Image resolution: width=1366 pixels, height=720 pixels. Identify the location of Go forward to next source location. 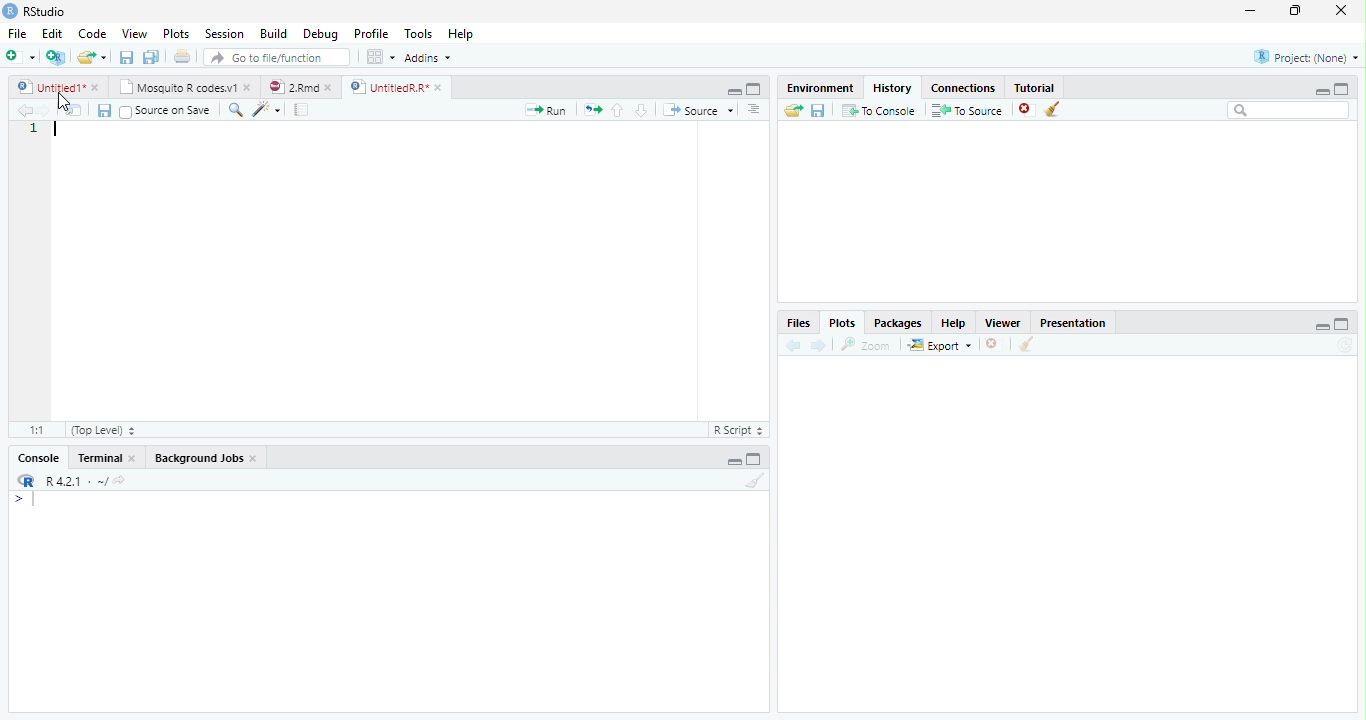
(44, 111).